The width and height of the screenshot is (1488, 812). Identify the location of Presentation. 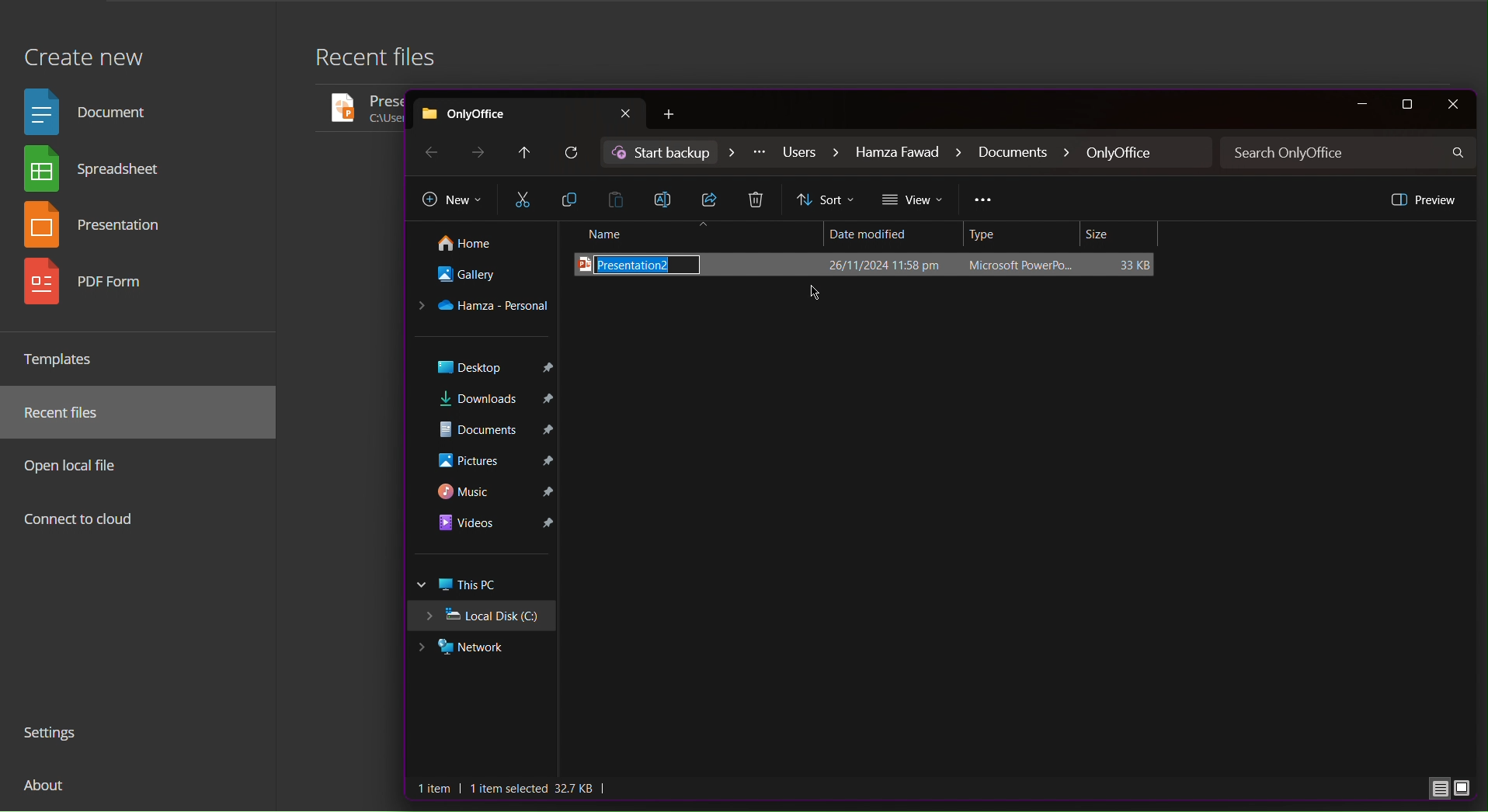
(101, 227).